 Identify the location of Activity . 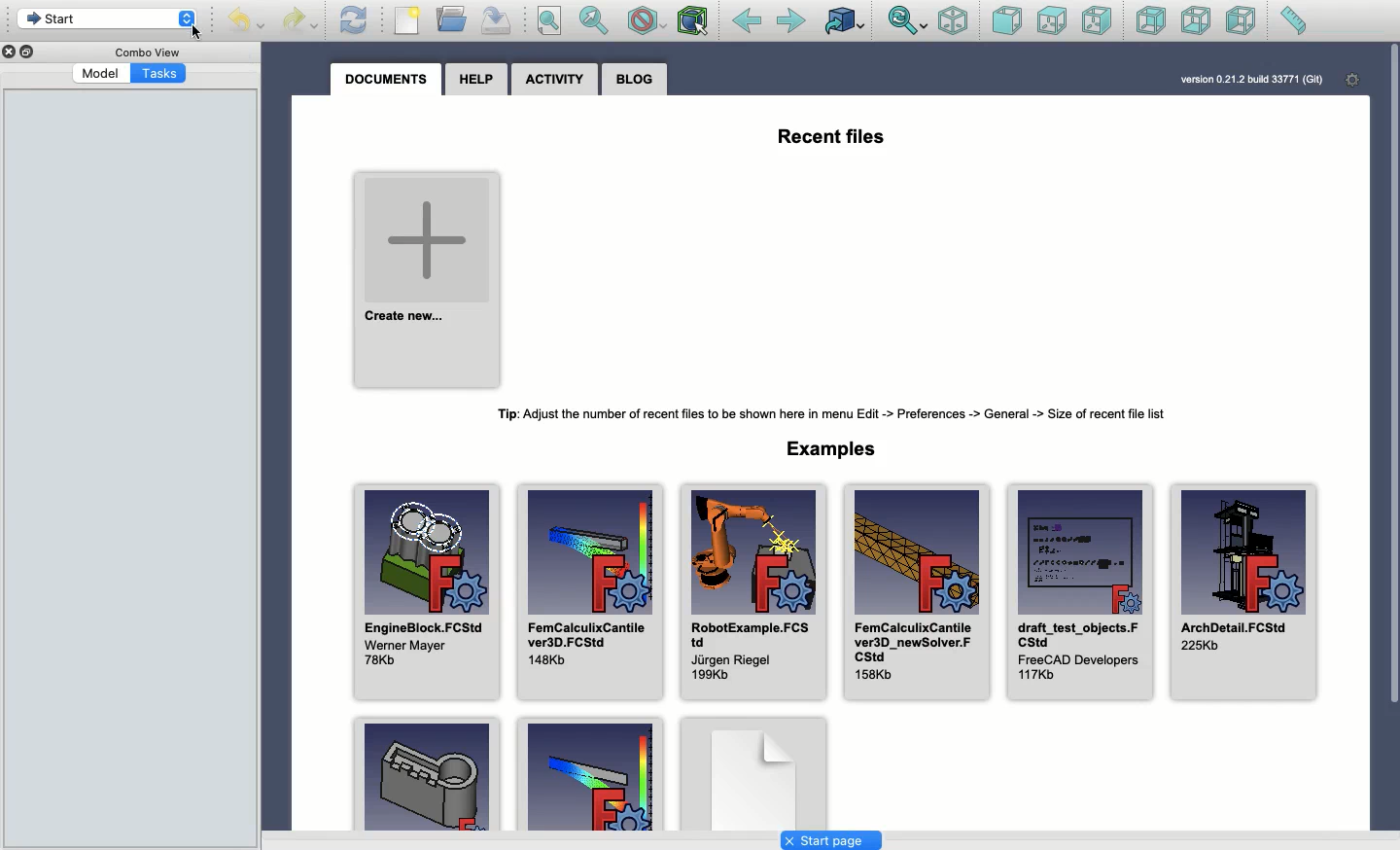
(559, 79).